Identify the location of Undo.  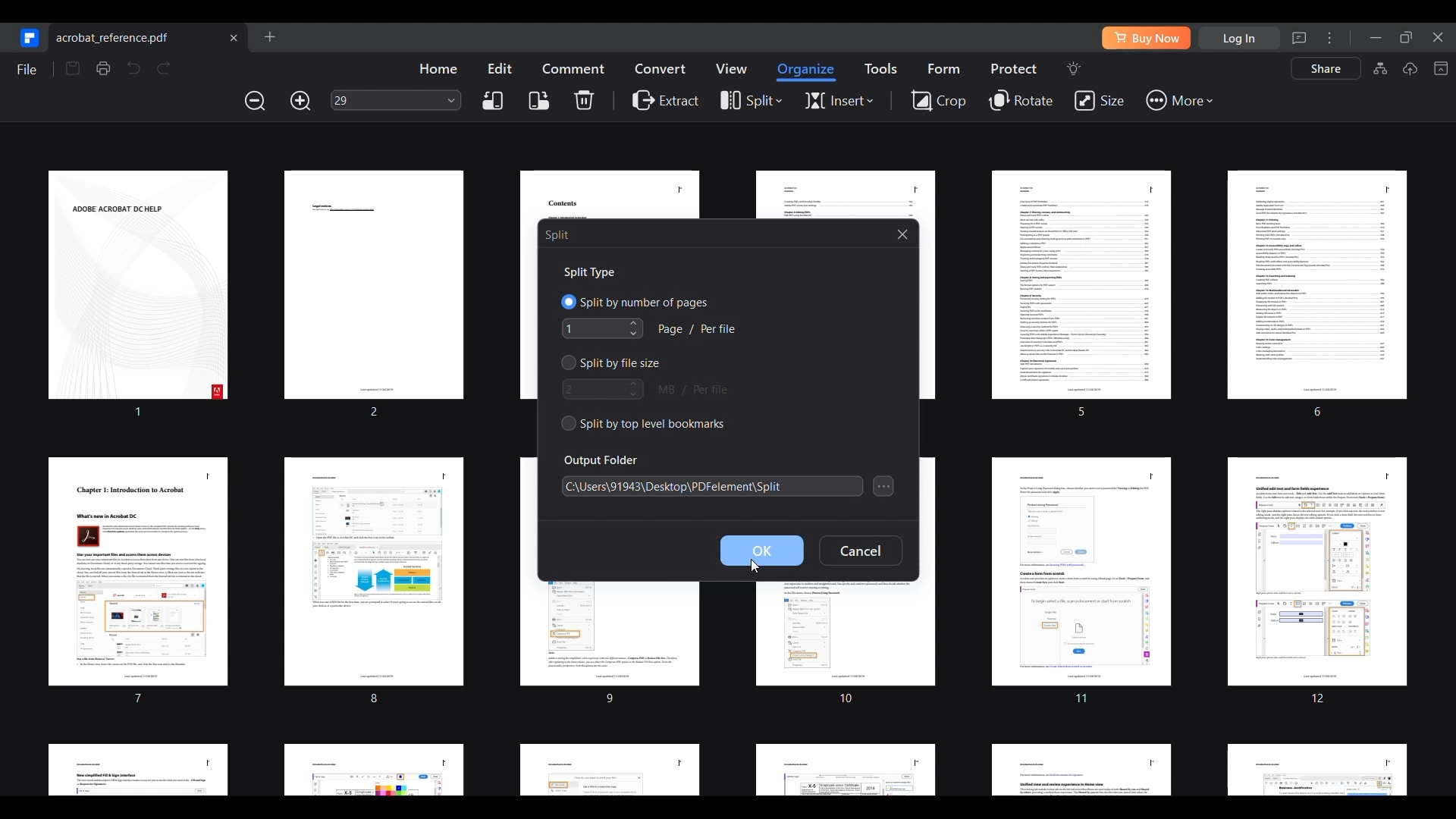
(133, 67).